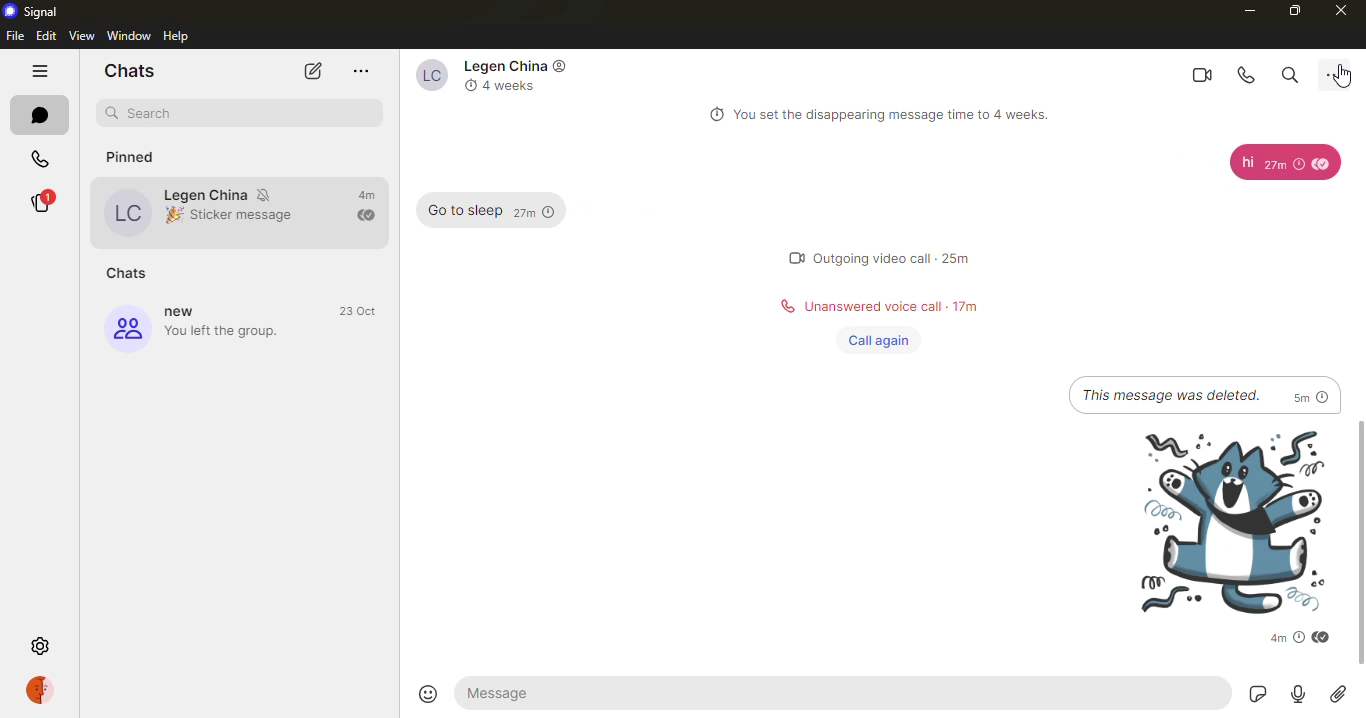  What do you see at coordinates (893, 304) in the screenshot?
I see `Unanswered voice call 17m` at bounding box center [893, 304].